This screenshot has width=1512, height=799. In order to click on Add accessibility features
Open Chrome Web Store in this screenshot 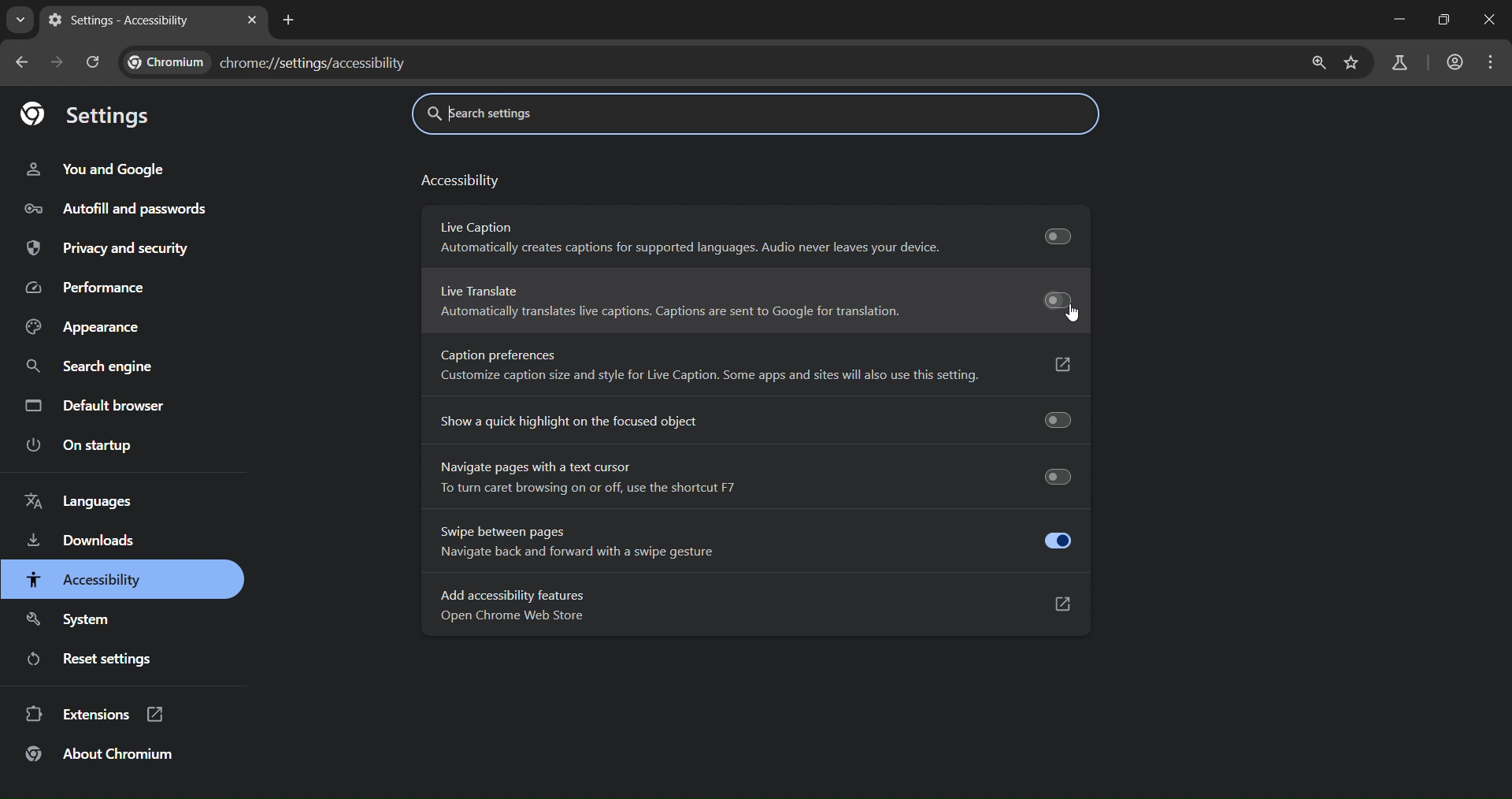, I will do `click(513, 607)`.